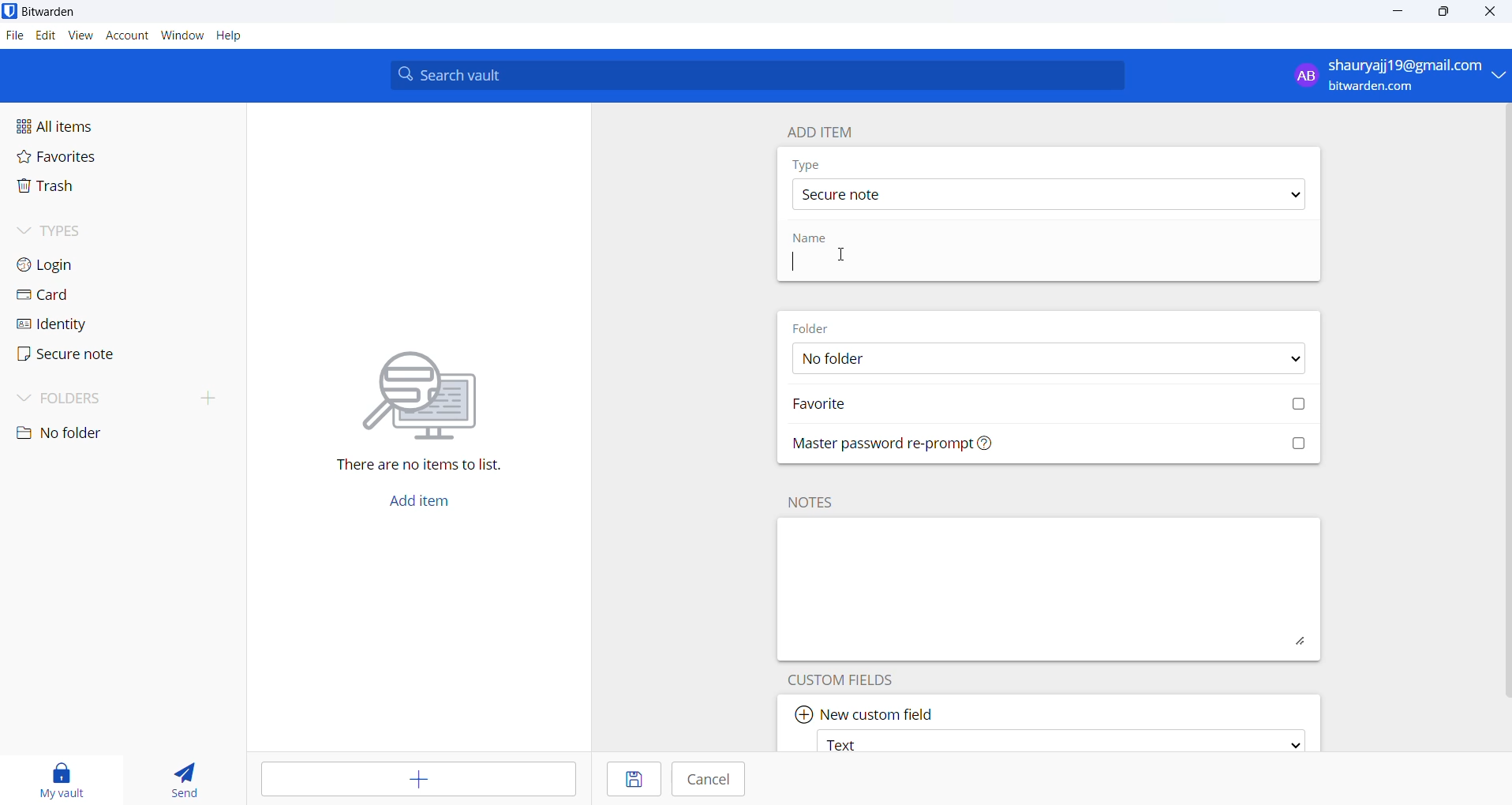  What do you see at coordinates (1444, 12) in the screenshot?
I see `maximize` at bounding box center [1444, 12].